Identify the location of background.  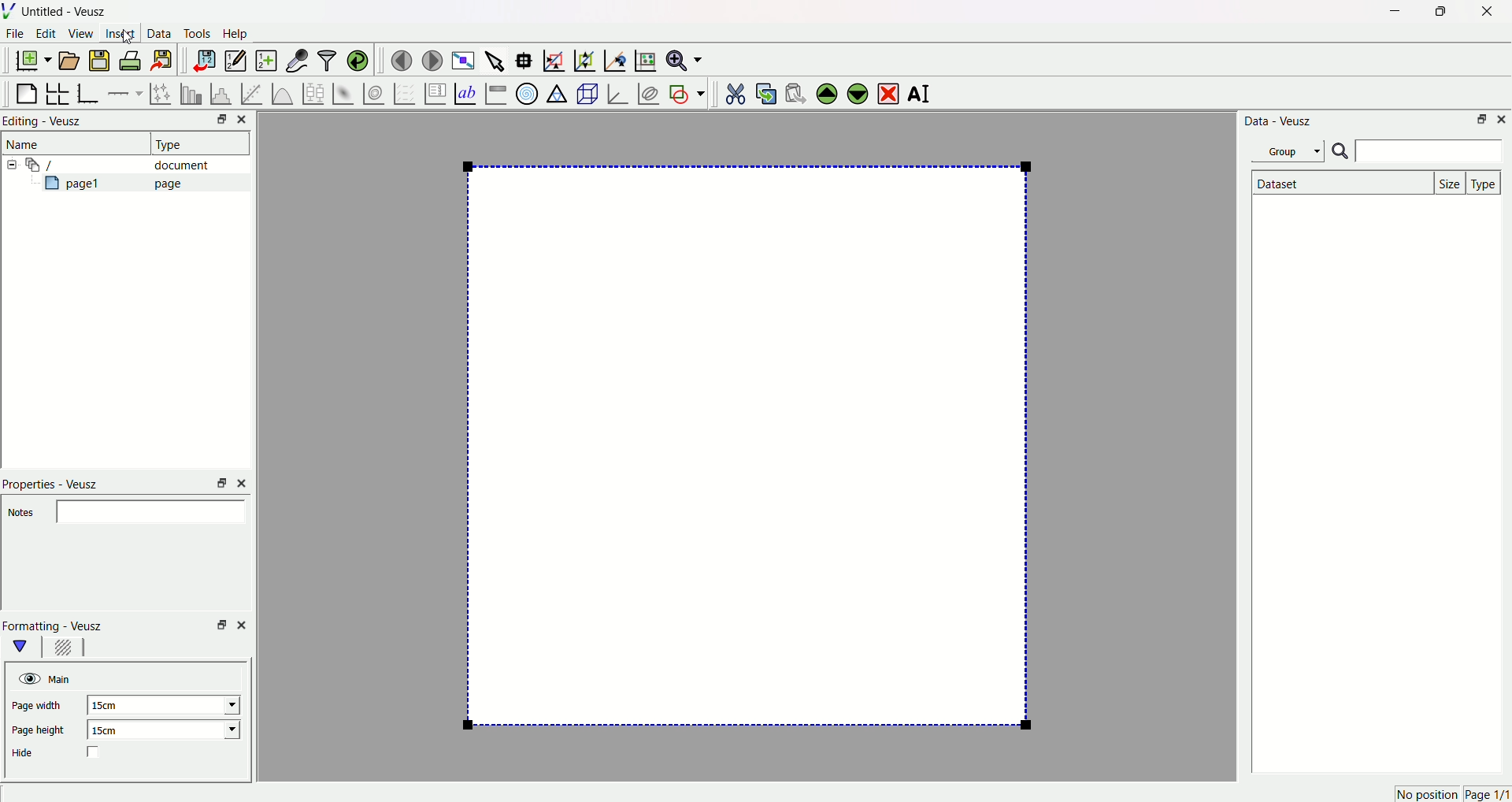
(64, 649).